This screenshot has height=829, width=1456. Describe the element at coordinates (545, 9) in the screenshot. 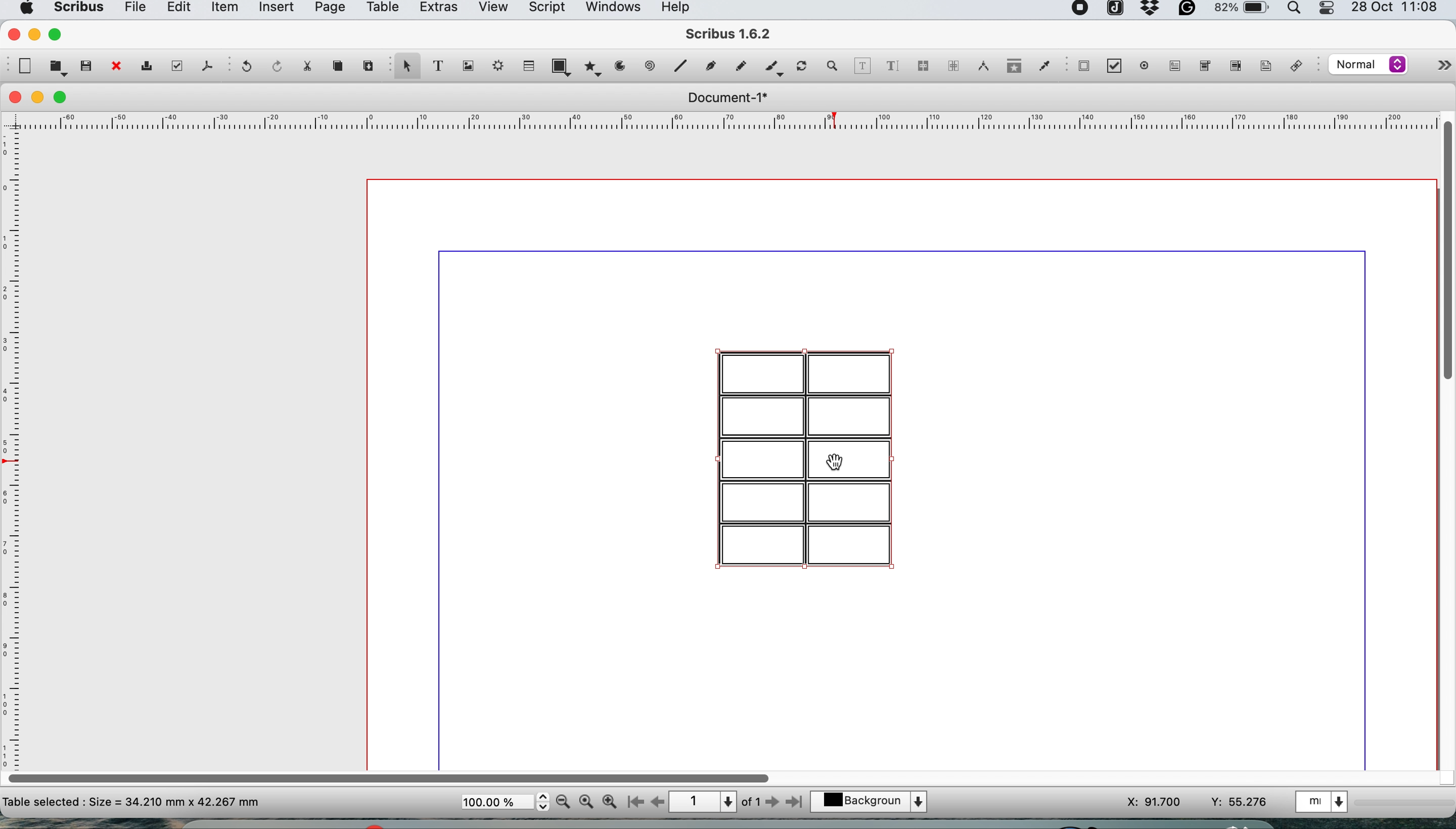

I see `script` at that location.